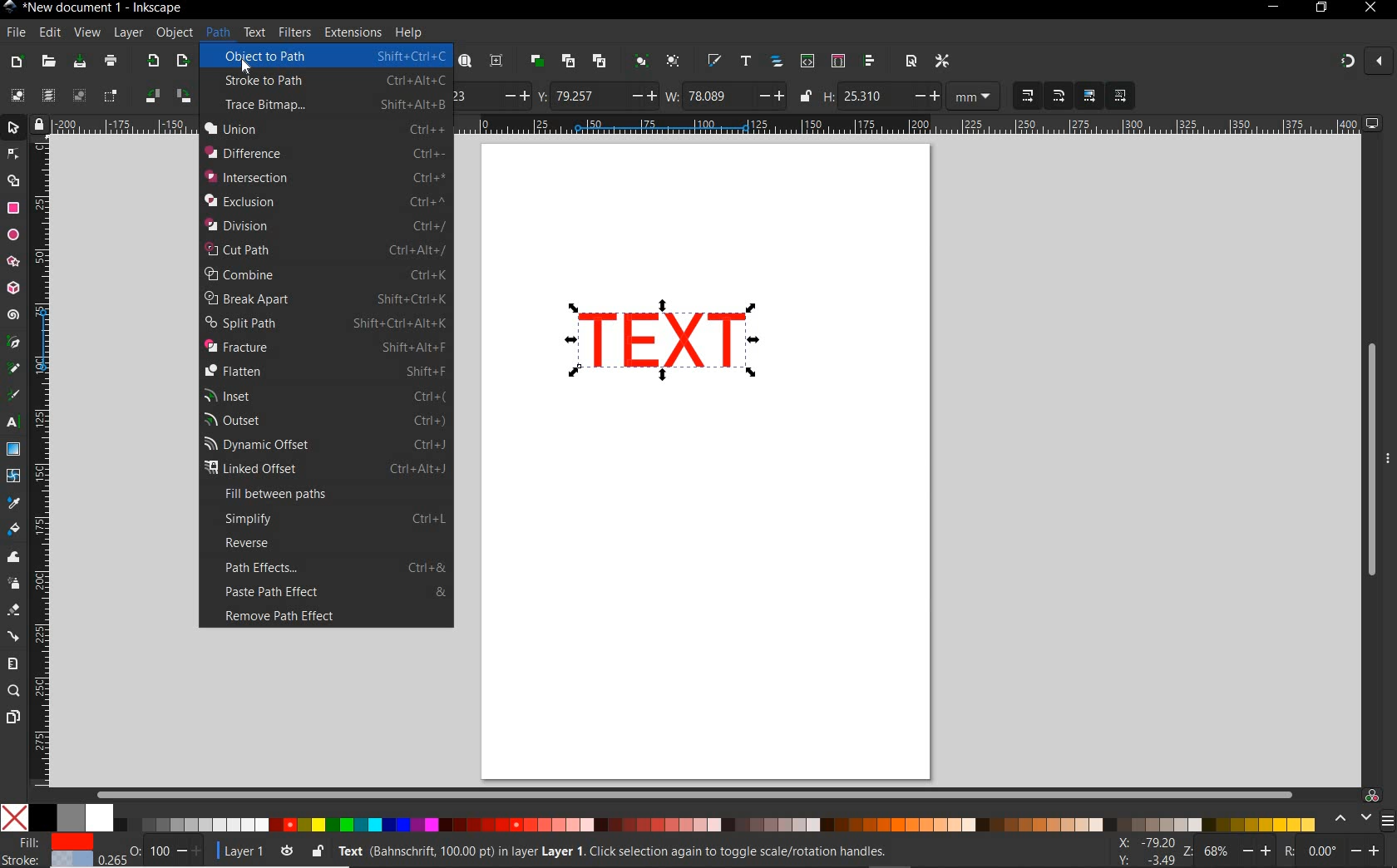 This screenshot has width=1397, height=868. I want to click on GRADIENT TOOL, so click(13, 449).